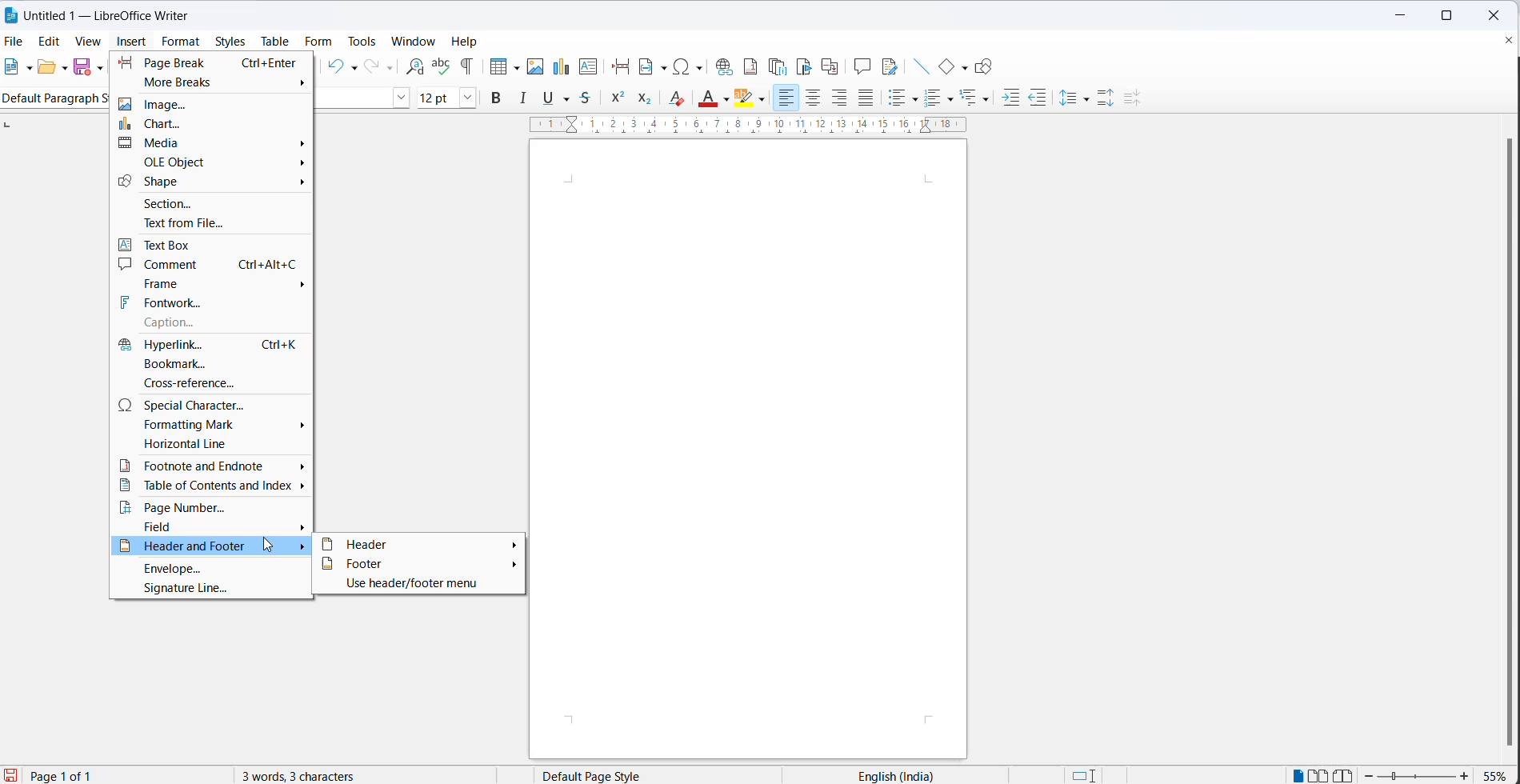  What do you see at coordinates (209, 226) in the screenshot?
I see `text from file` at bounding box center [209, 226].